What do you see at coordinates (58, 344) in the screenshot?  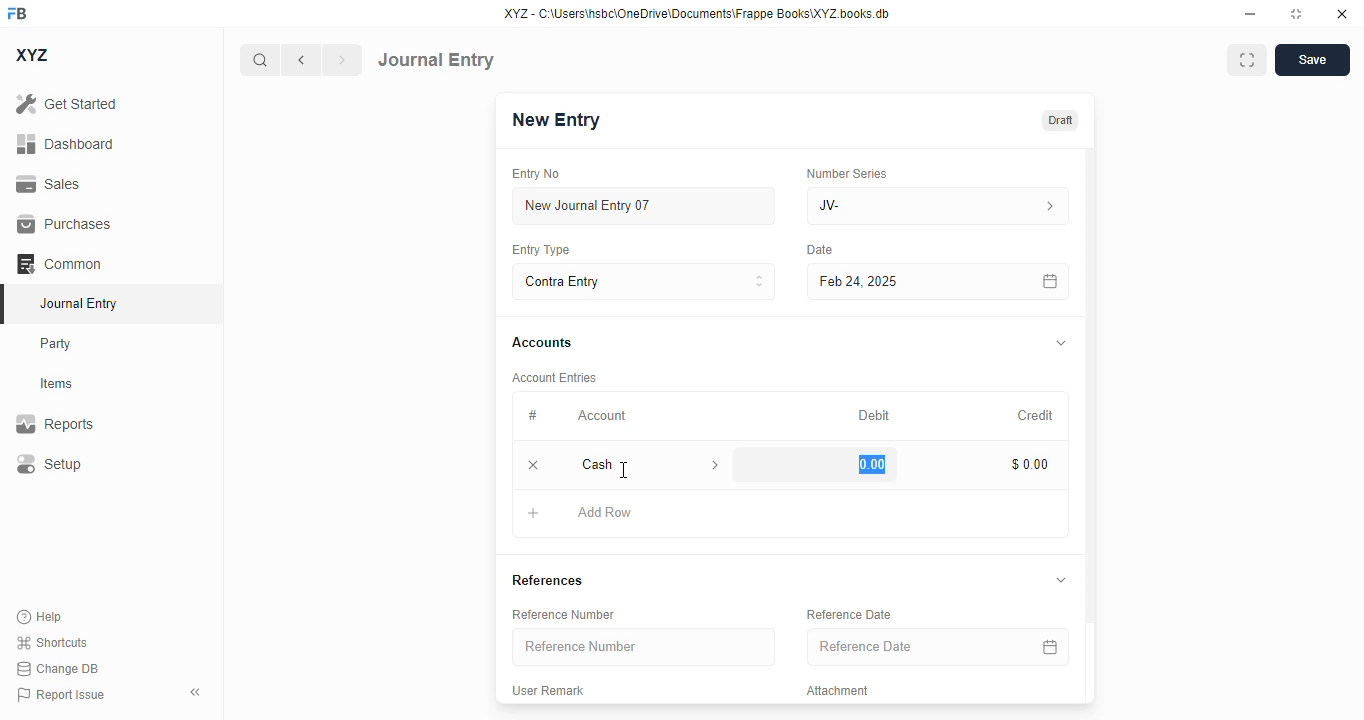 I see `party` at bounding box center [58, 344].